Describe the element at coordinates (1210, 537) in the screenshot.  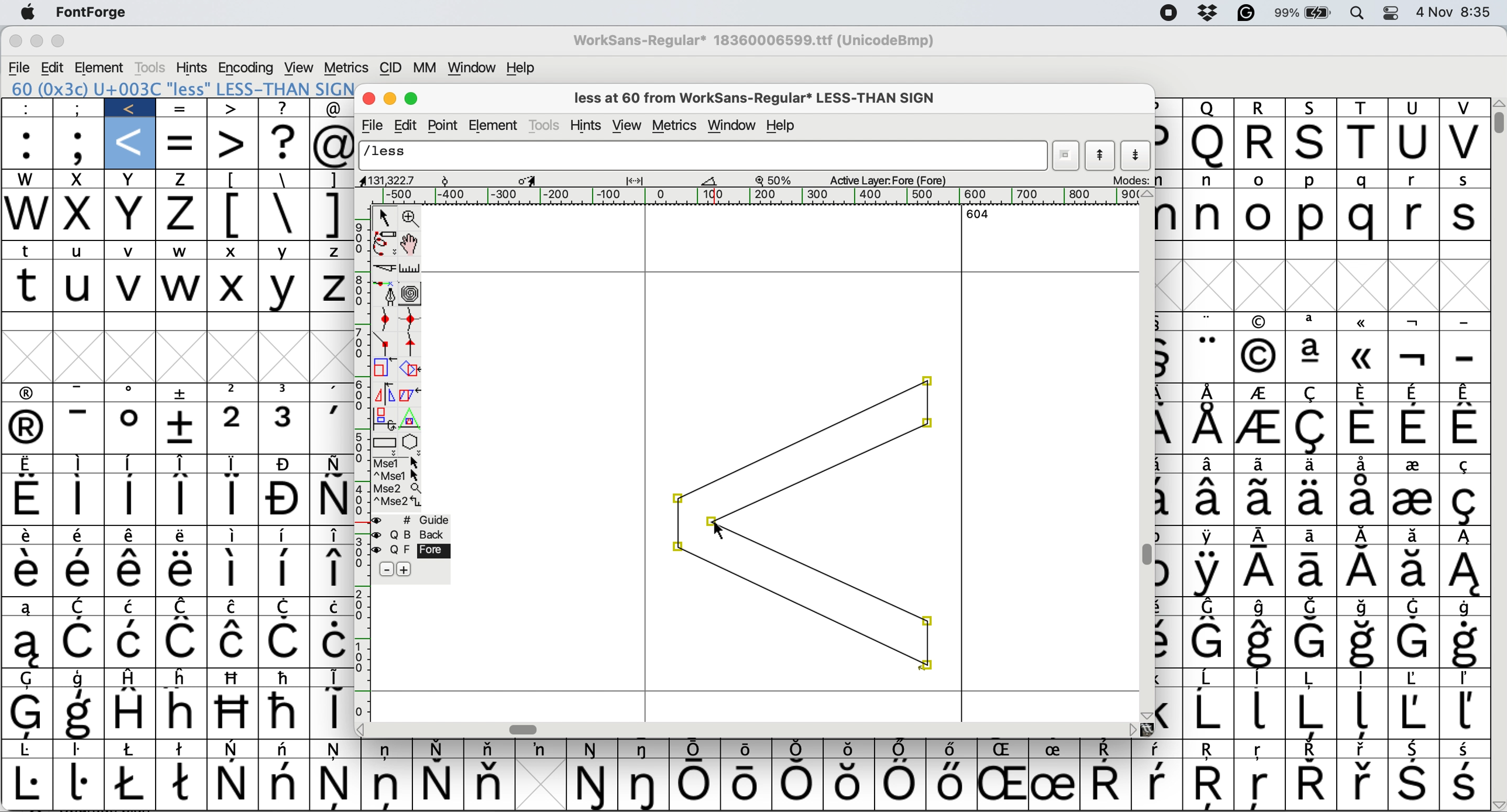
I see `Symbol` at that location.